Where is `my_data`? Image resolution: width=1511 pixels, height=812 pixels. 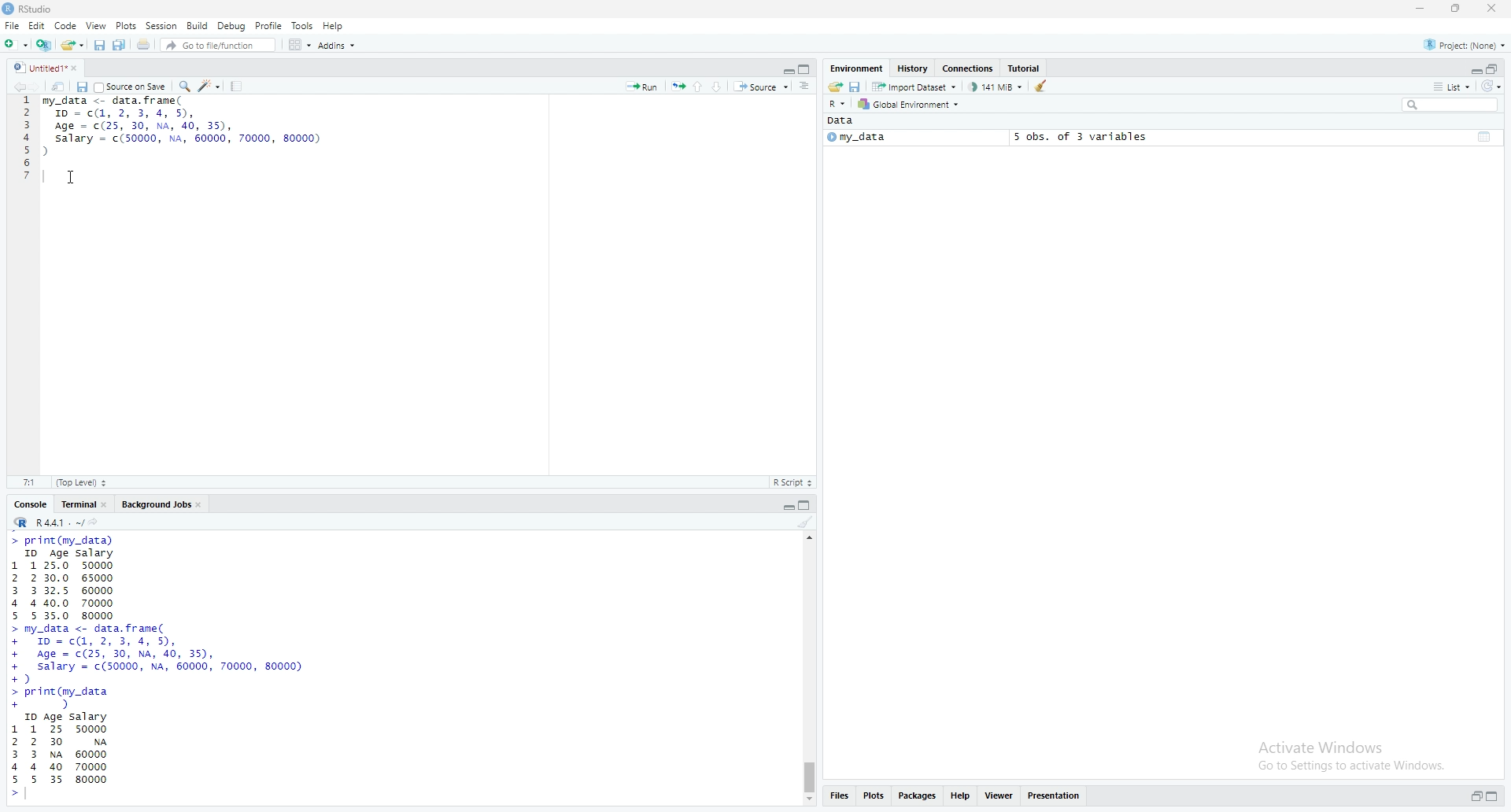 my_data is located at coordinates (855, 138).